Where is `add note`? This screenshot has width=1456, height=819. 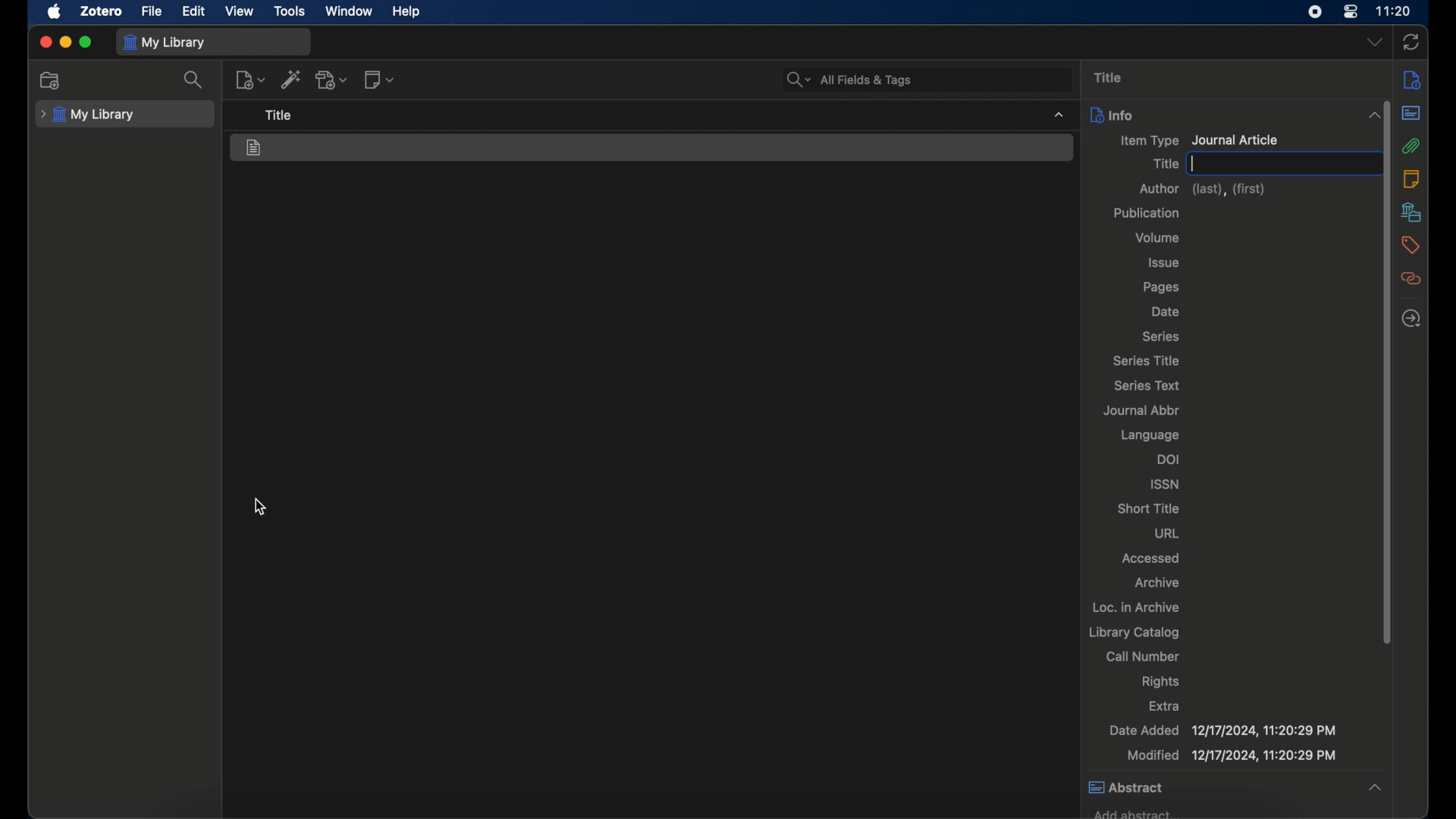
add note is located at coordinates (379, 80).